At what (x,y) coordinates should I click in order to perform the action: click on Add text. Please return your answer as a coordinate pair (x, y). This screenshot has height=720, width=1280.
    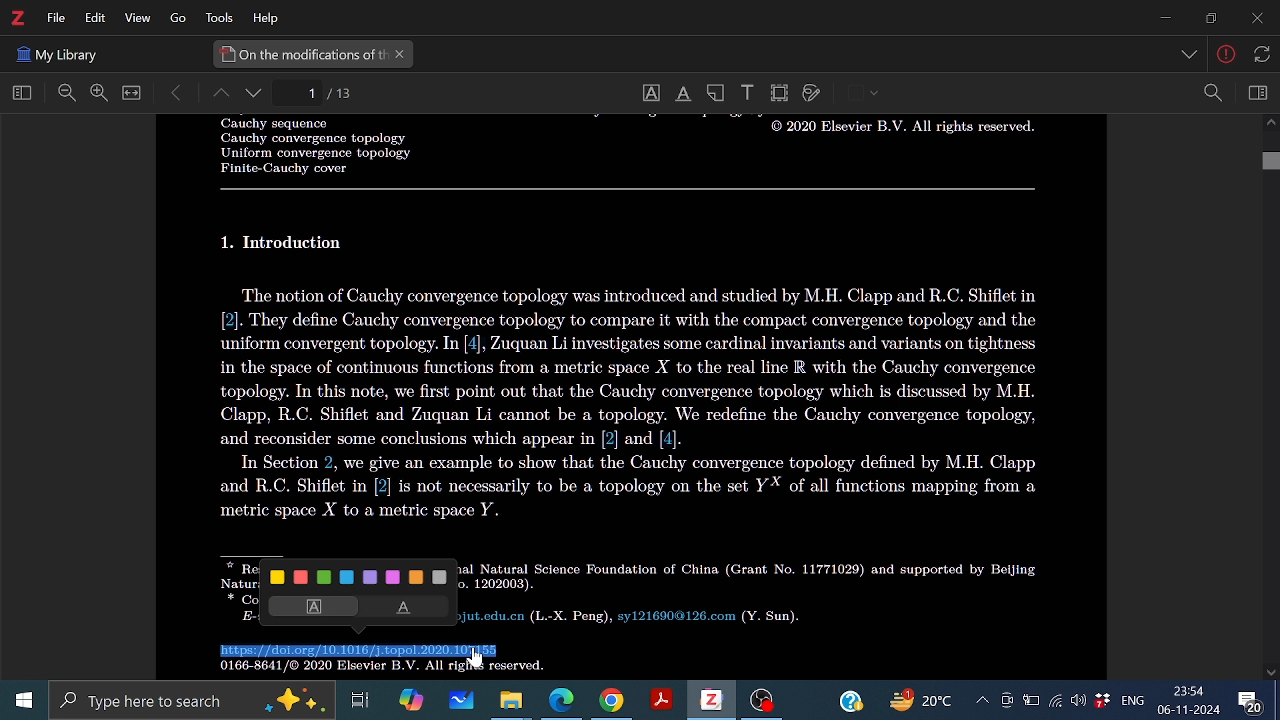
    Looking at the image, I should click on (746, 91).